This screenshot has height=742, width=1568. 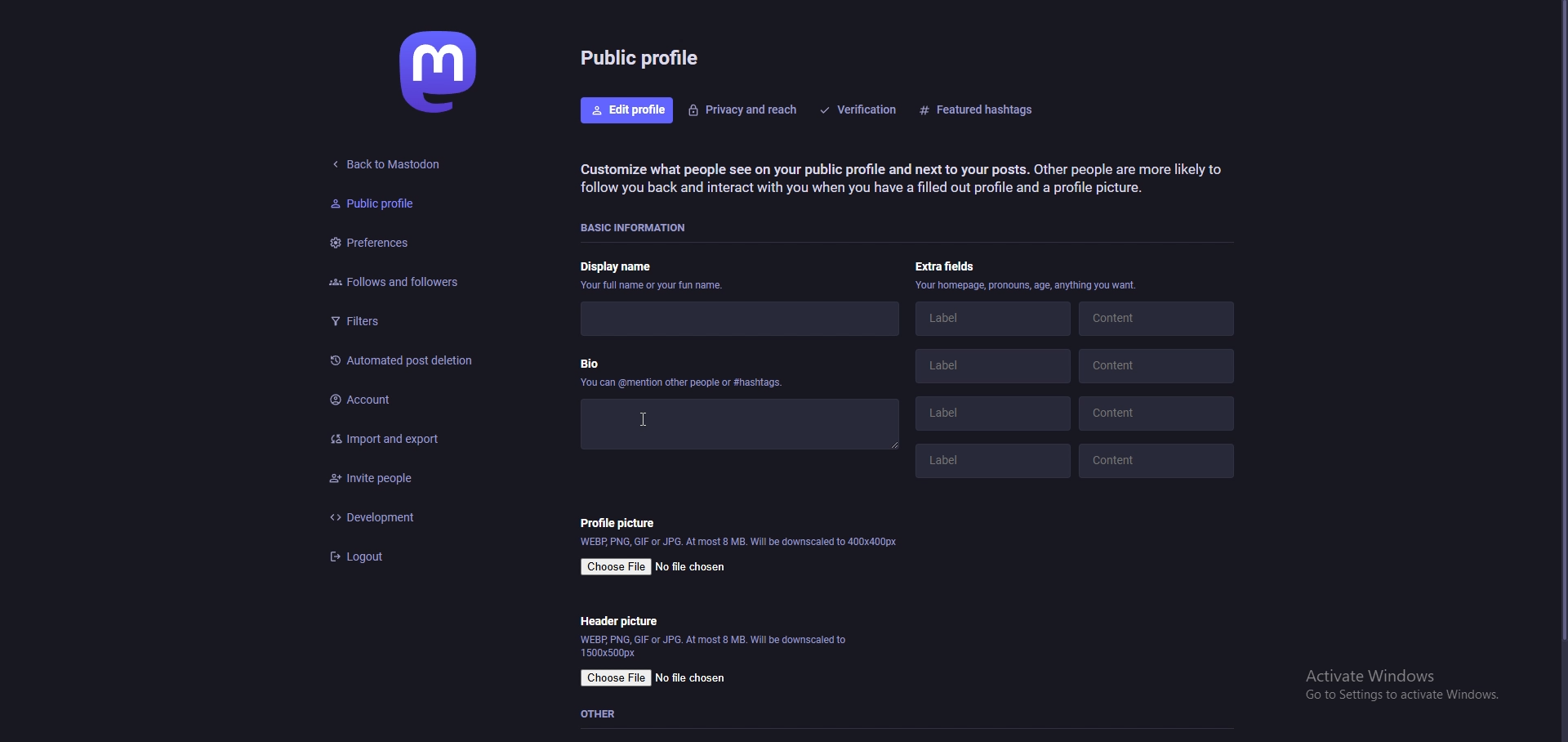 What do you see at coordinates (684, 371) in the screenshot?
I see `bio` at bounding box center [684, 371].